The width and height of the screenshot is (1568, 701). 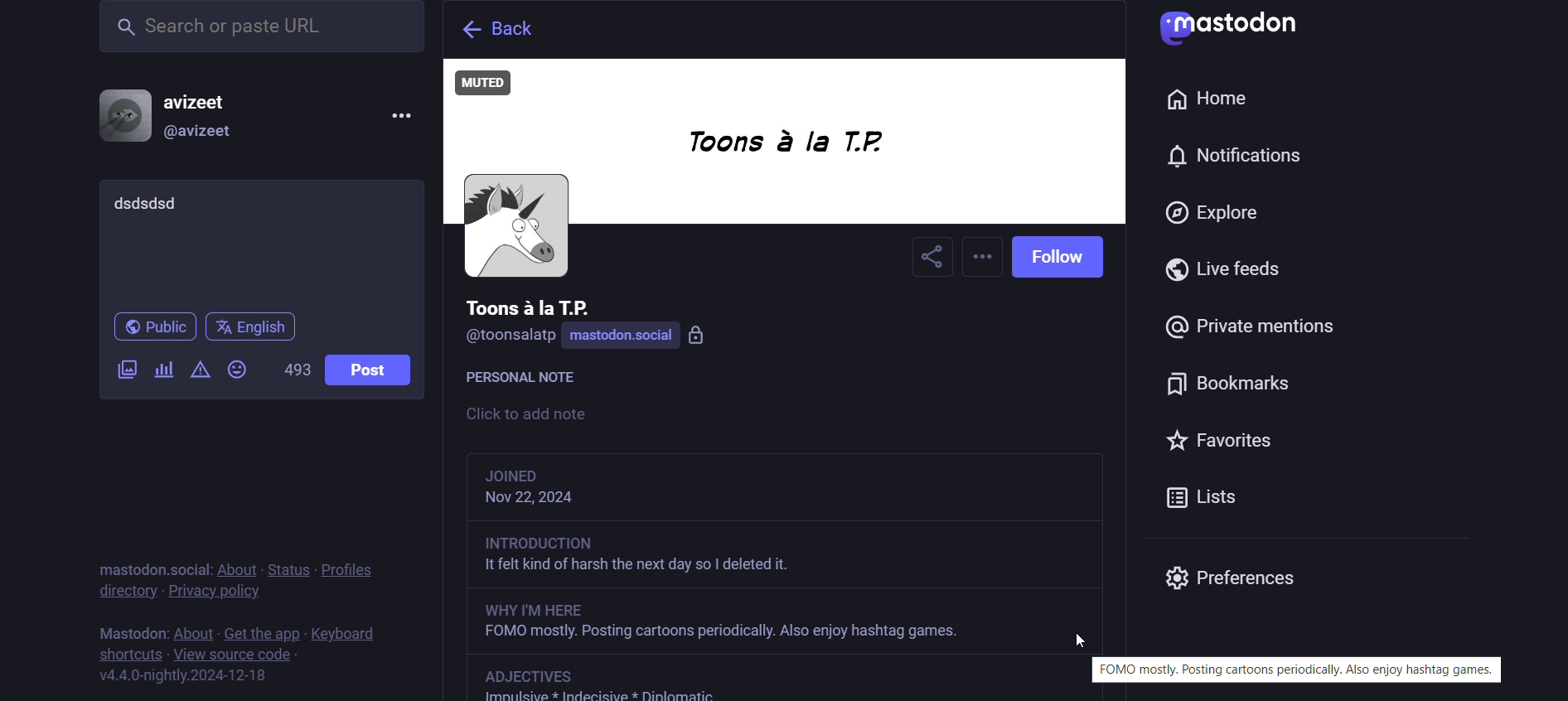 What do you see at coordinates (530, 380) in the screenshot?
I see `text` at bounding box center [530, 380].